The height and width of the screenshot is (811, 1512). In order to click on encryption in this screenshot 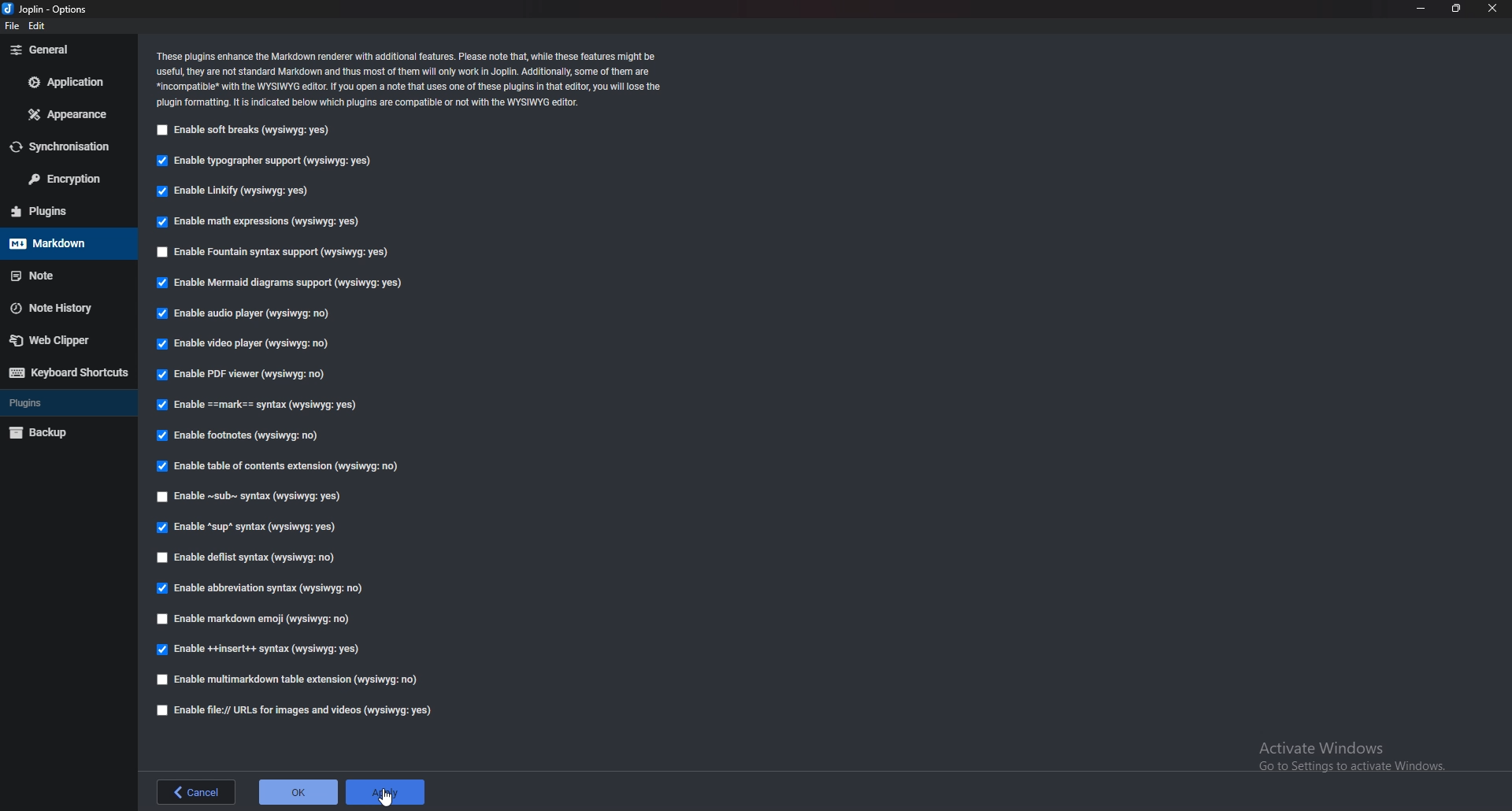, I will do `click(70, 178)`.